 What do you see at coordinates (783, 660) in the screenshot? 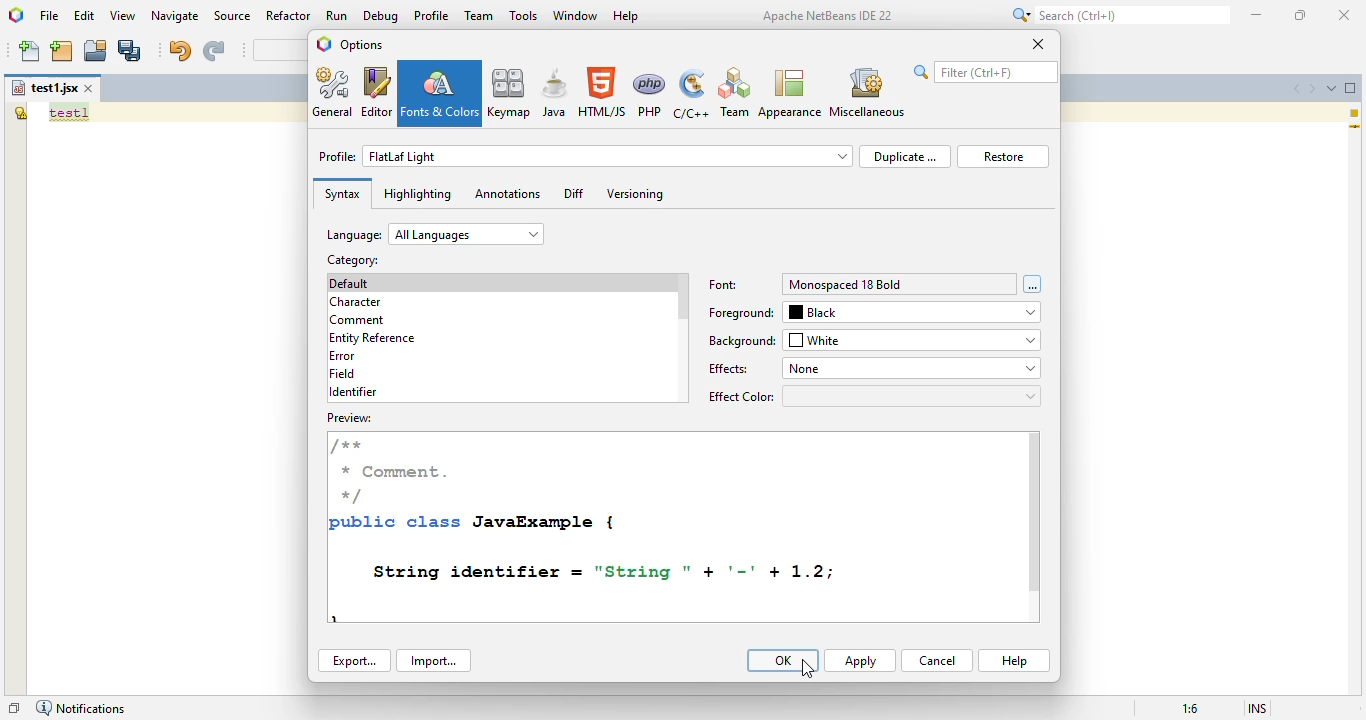
I see `OK` at bounding box center [783, 660].